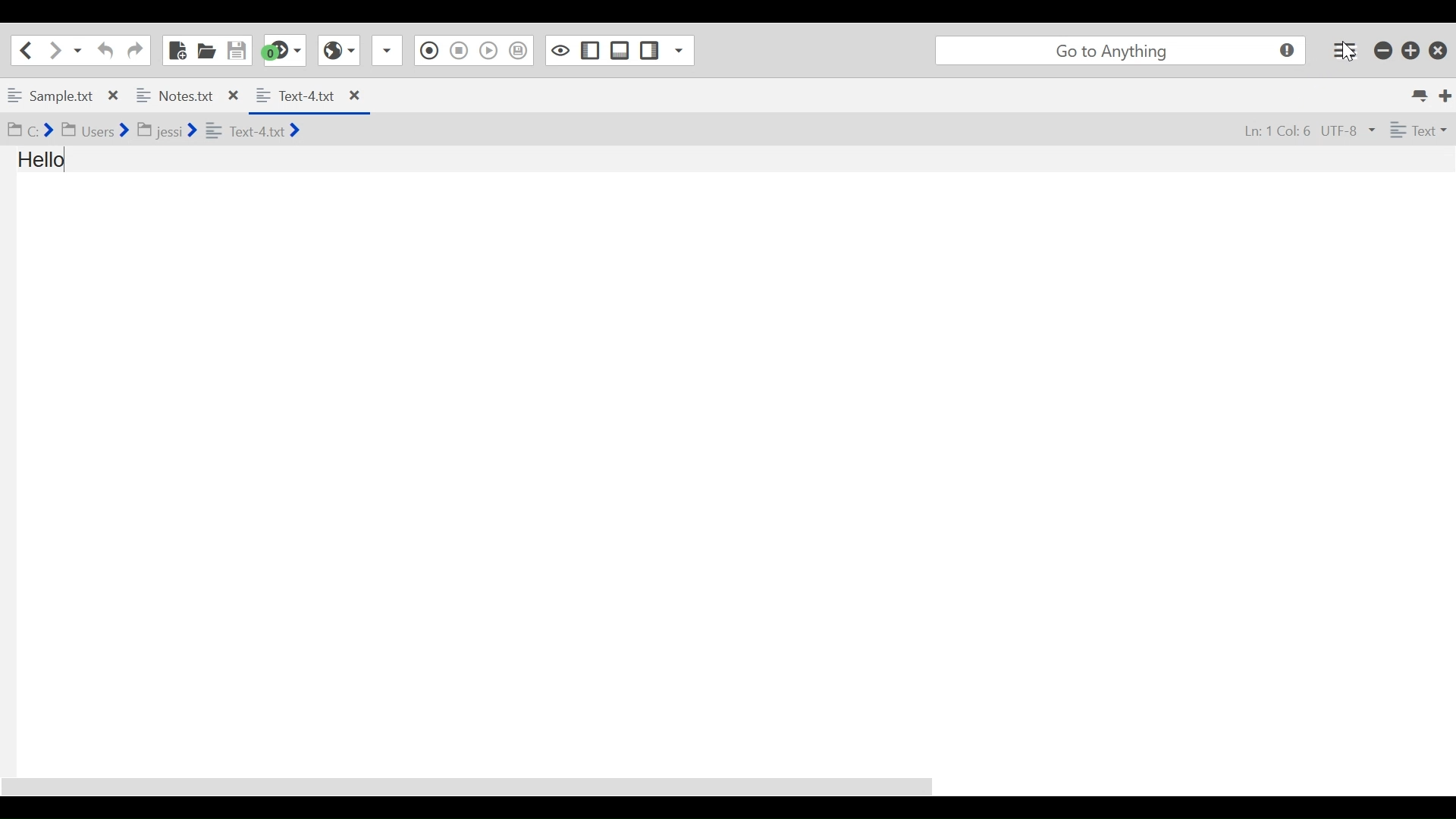 The image size is (1456, 819). Describe the element at coordinates (104, 50) in the screenshot. I see `Undo last Action` at that location.